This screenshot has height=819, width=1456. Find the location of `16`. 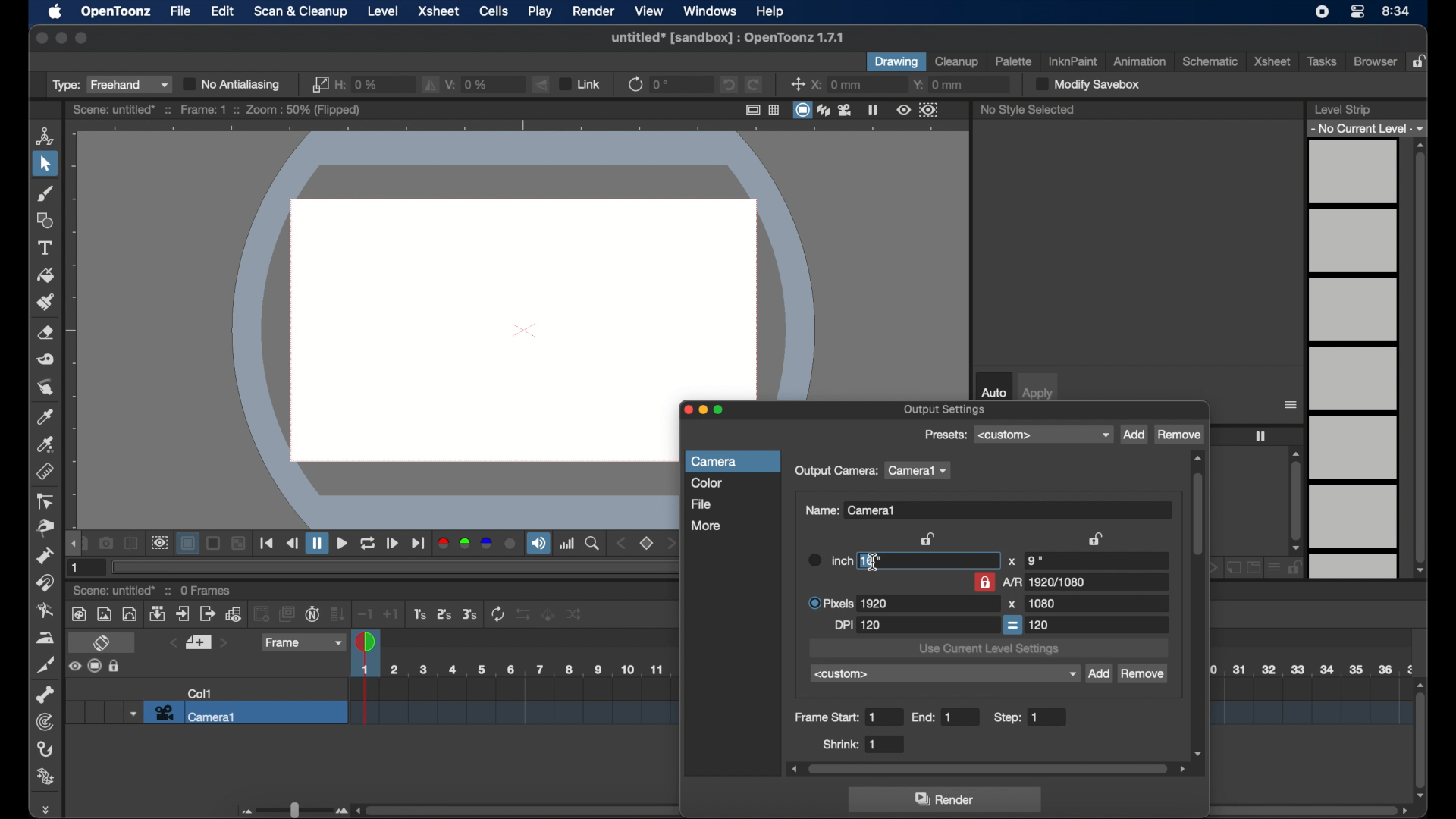

16 is located at coordinates (871, 560).